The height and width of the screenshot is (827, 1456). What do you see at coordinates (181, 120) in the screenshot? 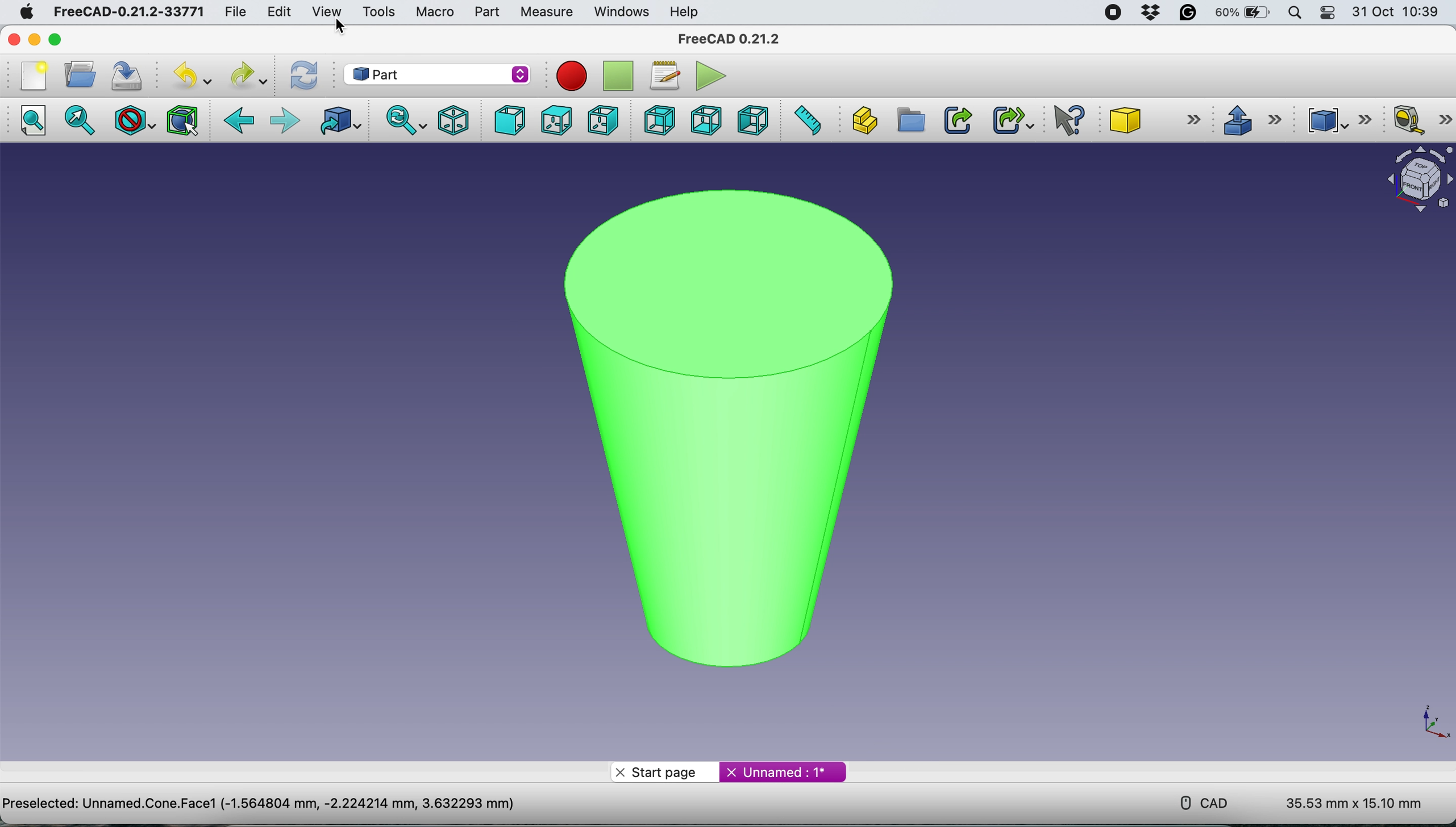
I see `bounding box` at bounding box center [181, 120].